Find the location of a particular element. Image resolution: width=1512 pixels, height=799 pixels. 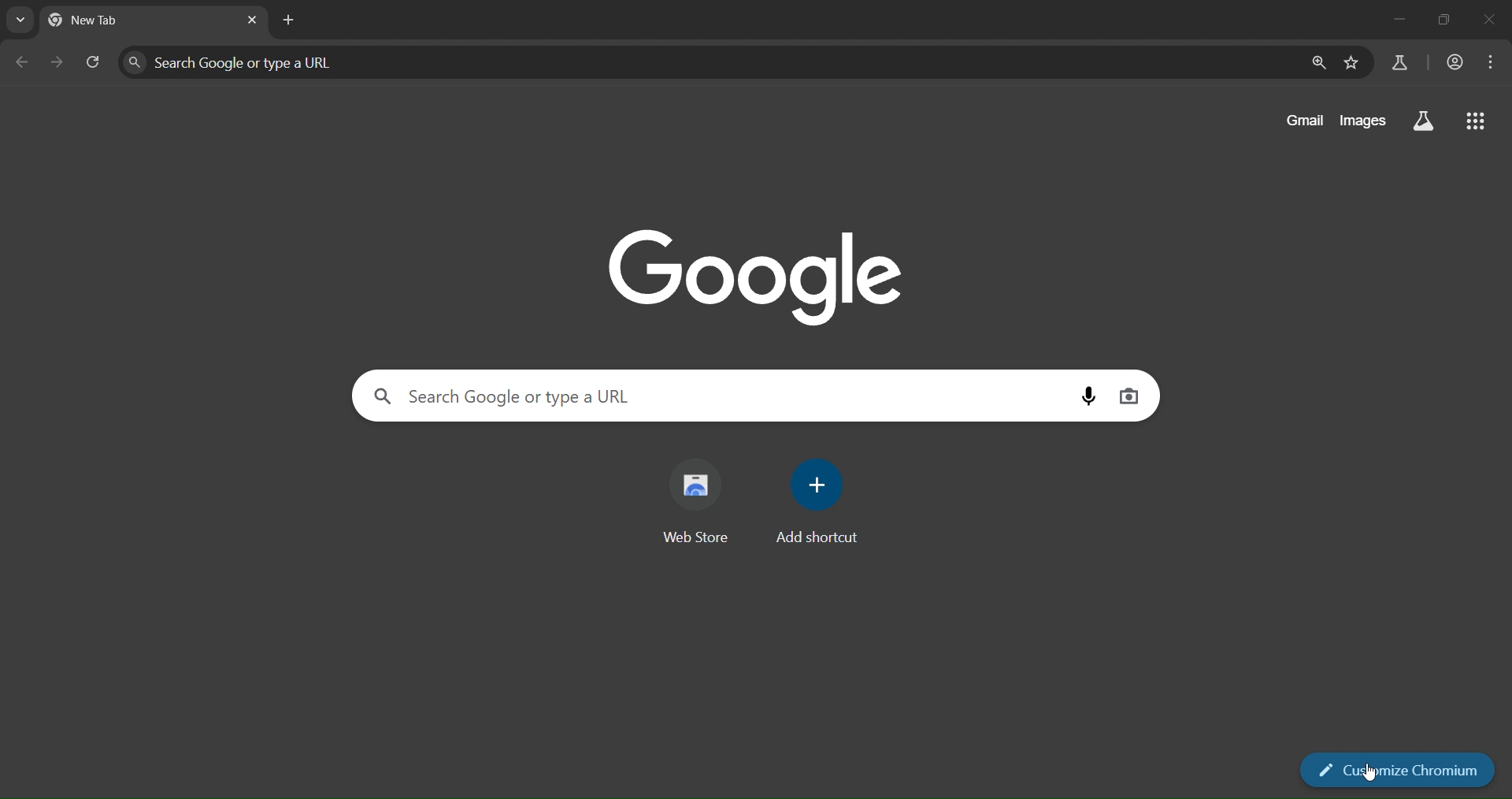

customize chromium is located at coordinates (1395, 767).